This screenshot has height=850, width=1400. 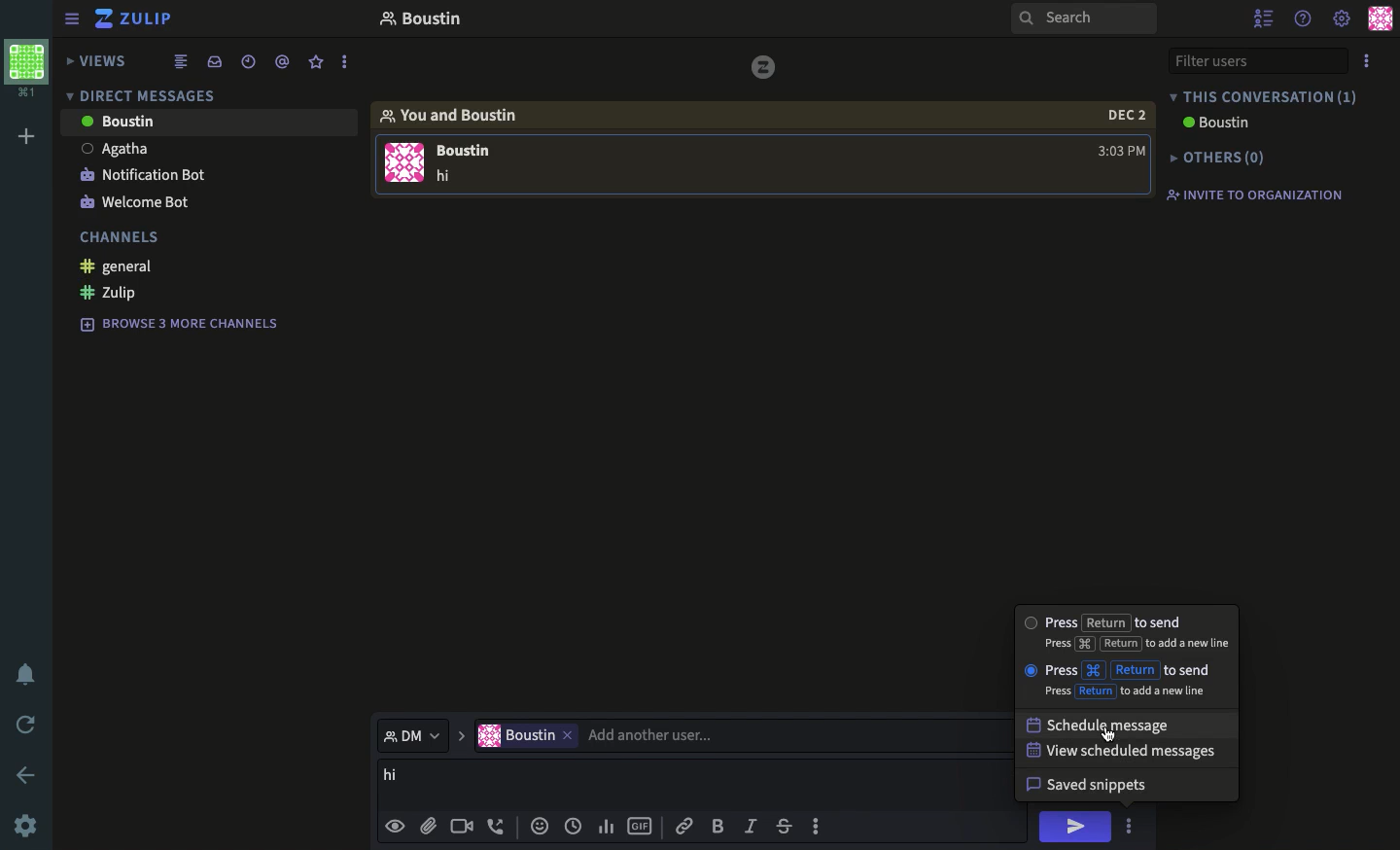 I want to click on favorite, so click(x=316, y=61).